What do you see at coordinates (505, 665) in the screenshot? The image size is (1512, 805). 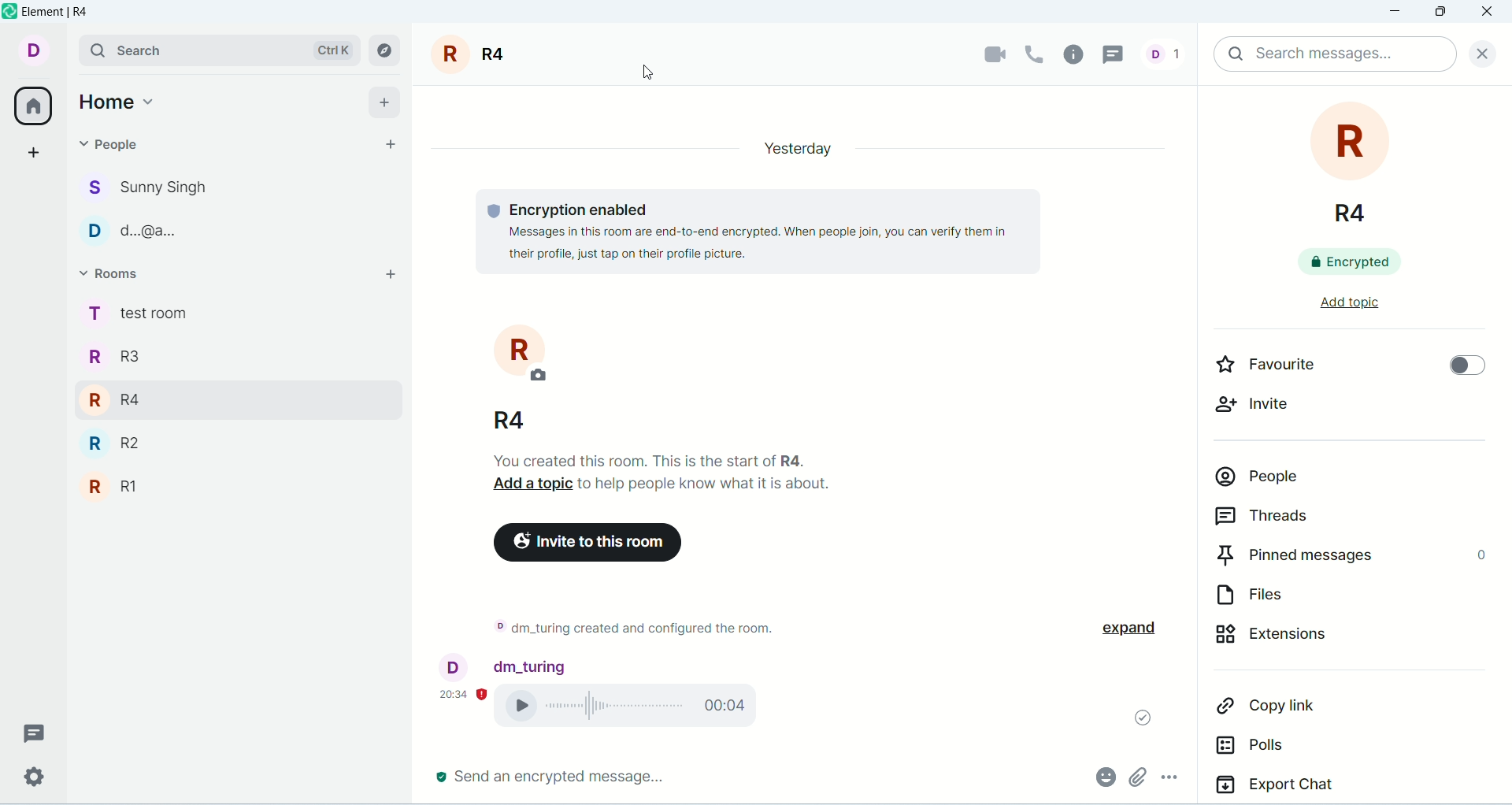 I see `account` at bounding box center [505, 665].